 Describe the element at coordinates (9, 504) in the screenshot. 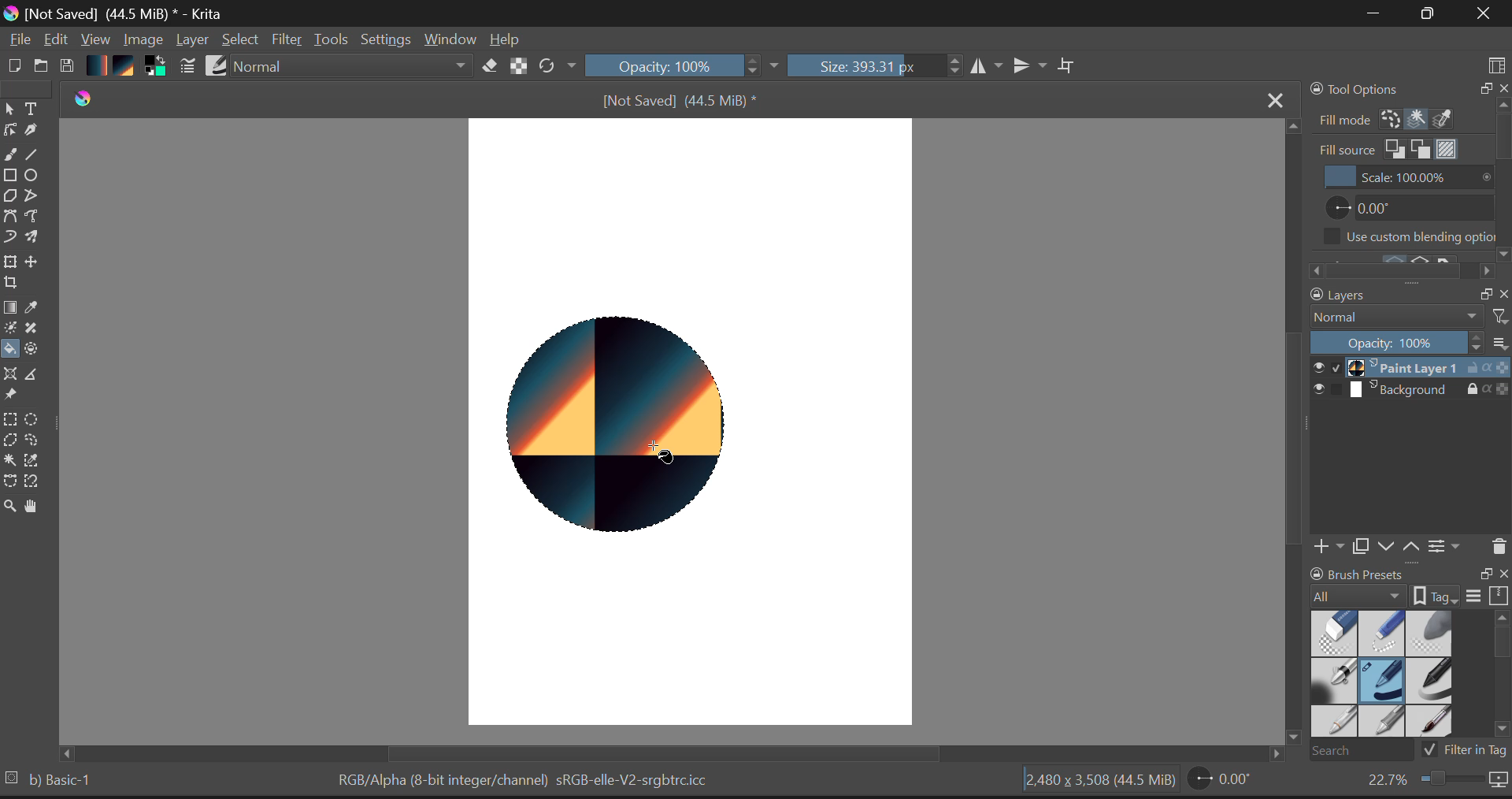

I see `Zoom` at that location.